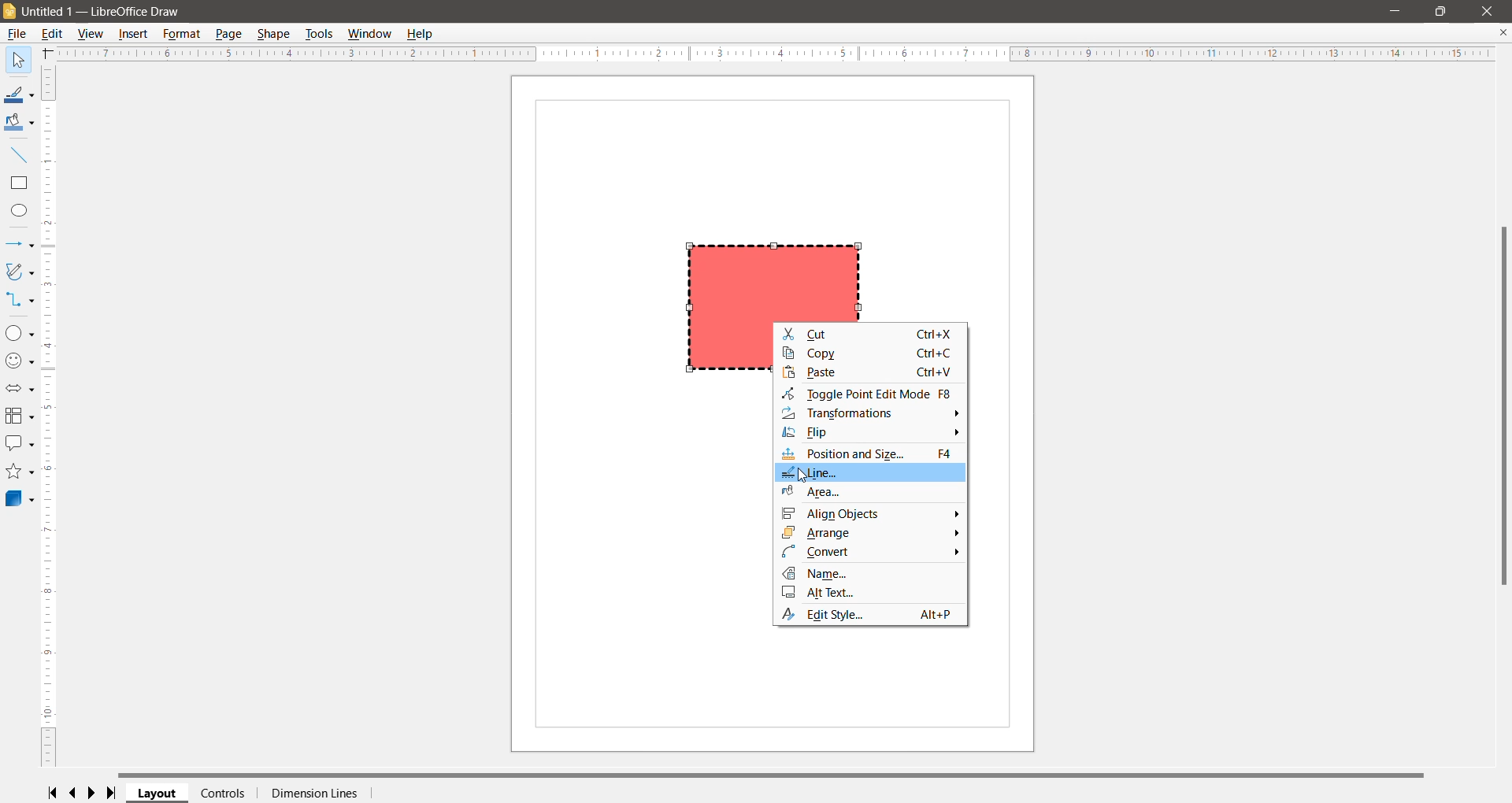 This screenshot has height=803, width=1512. I want to click on Flowchart, so click(19, 417).